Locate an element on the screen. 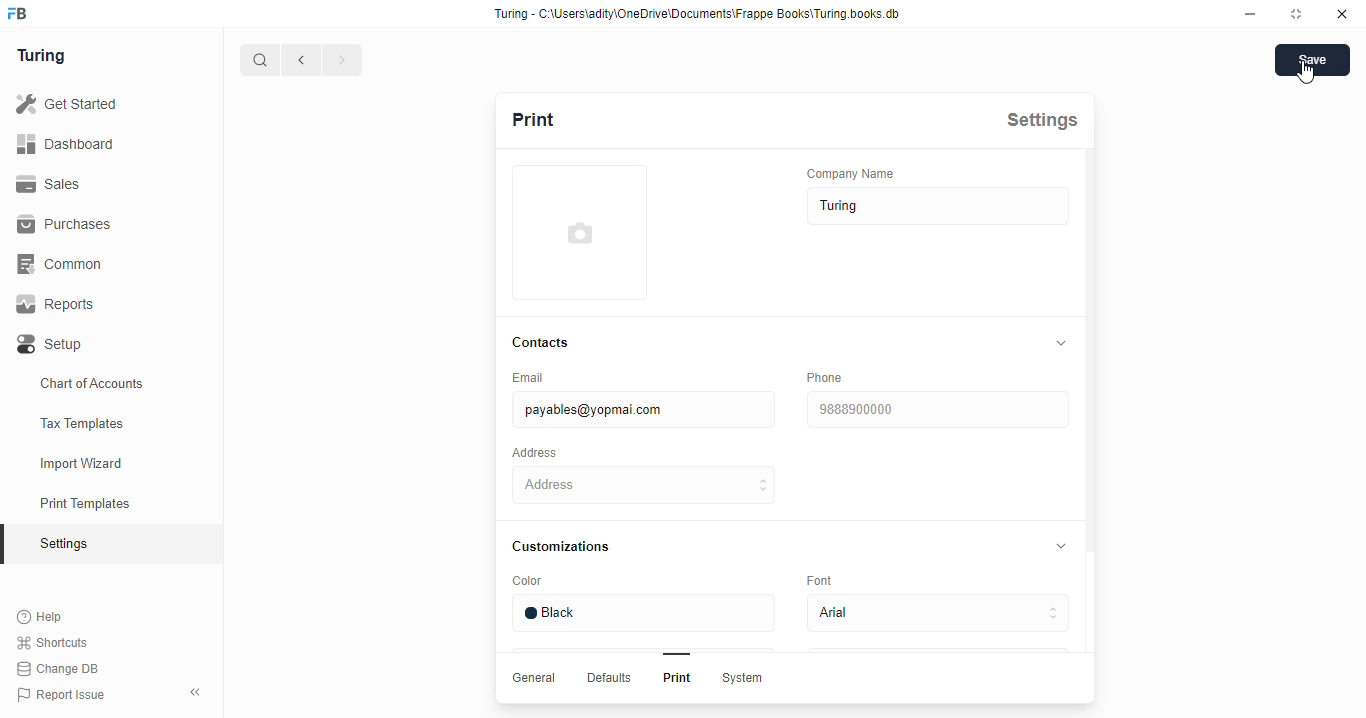 The width and height of the screenshot is (1366, 718). Avial is located at coordinates (942, 613).